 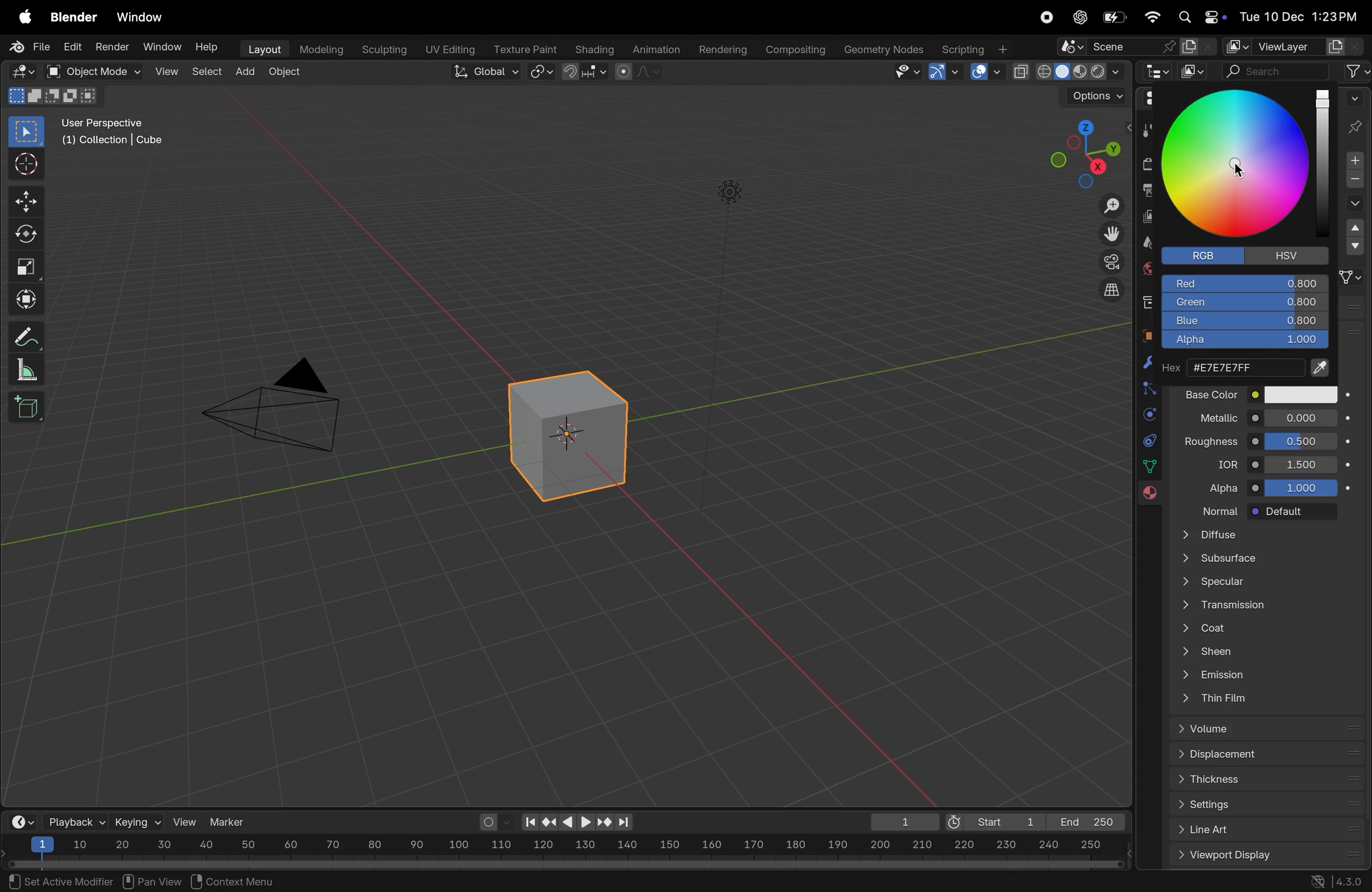 What do you see at coordinates (1222, 464) in the screenshot?
I see `idr` at bounding box center [1222, 464].